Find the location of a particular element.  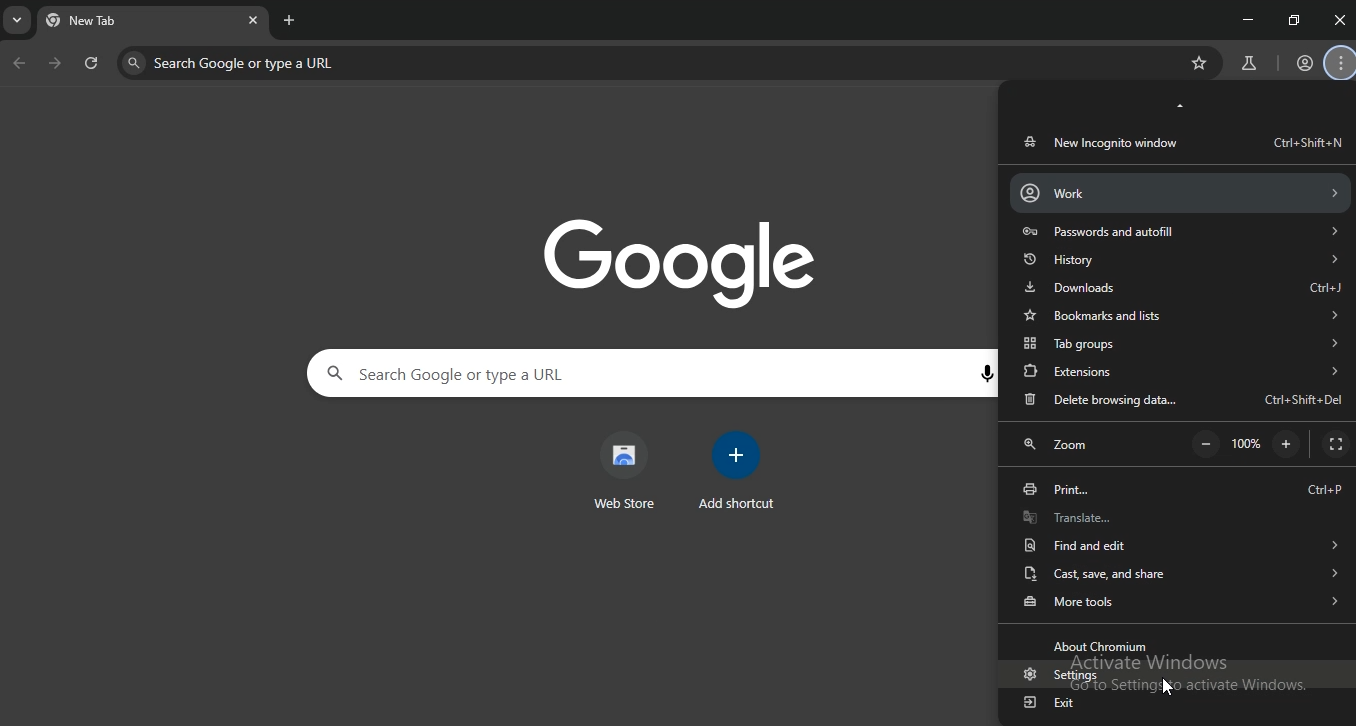

print is located at coordinates (1182, 489).